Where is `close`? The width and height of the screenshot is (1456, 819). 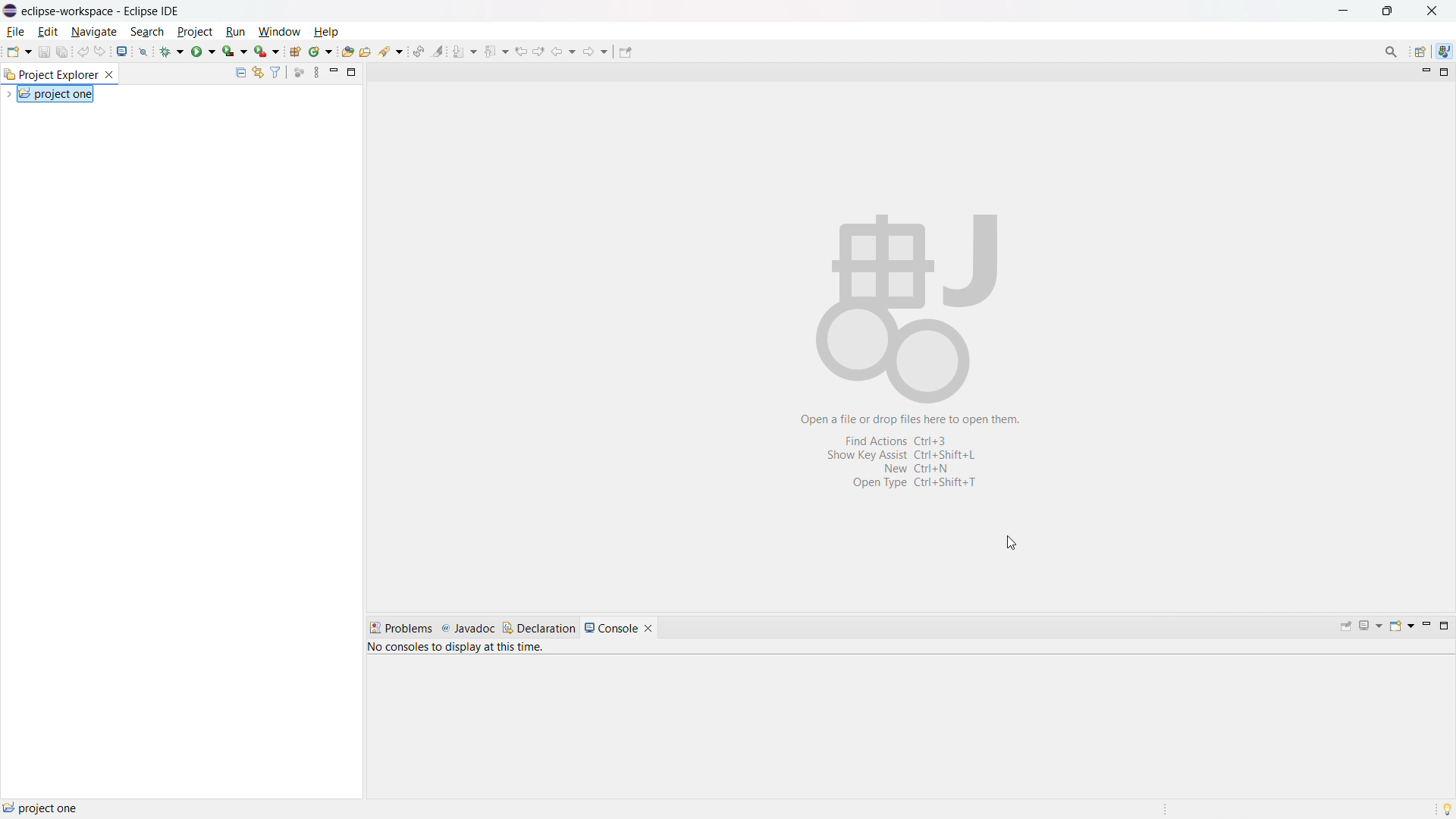 close is located at coordinates (1432, 11).